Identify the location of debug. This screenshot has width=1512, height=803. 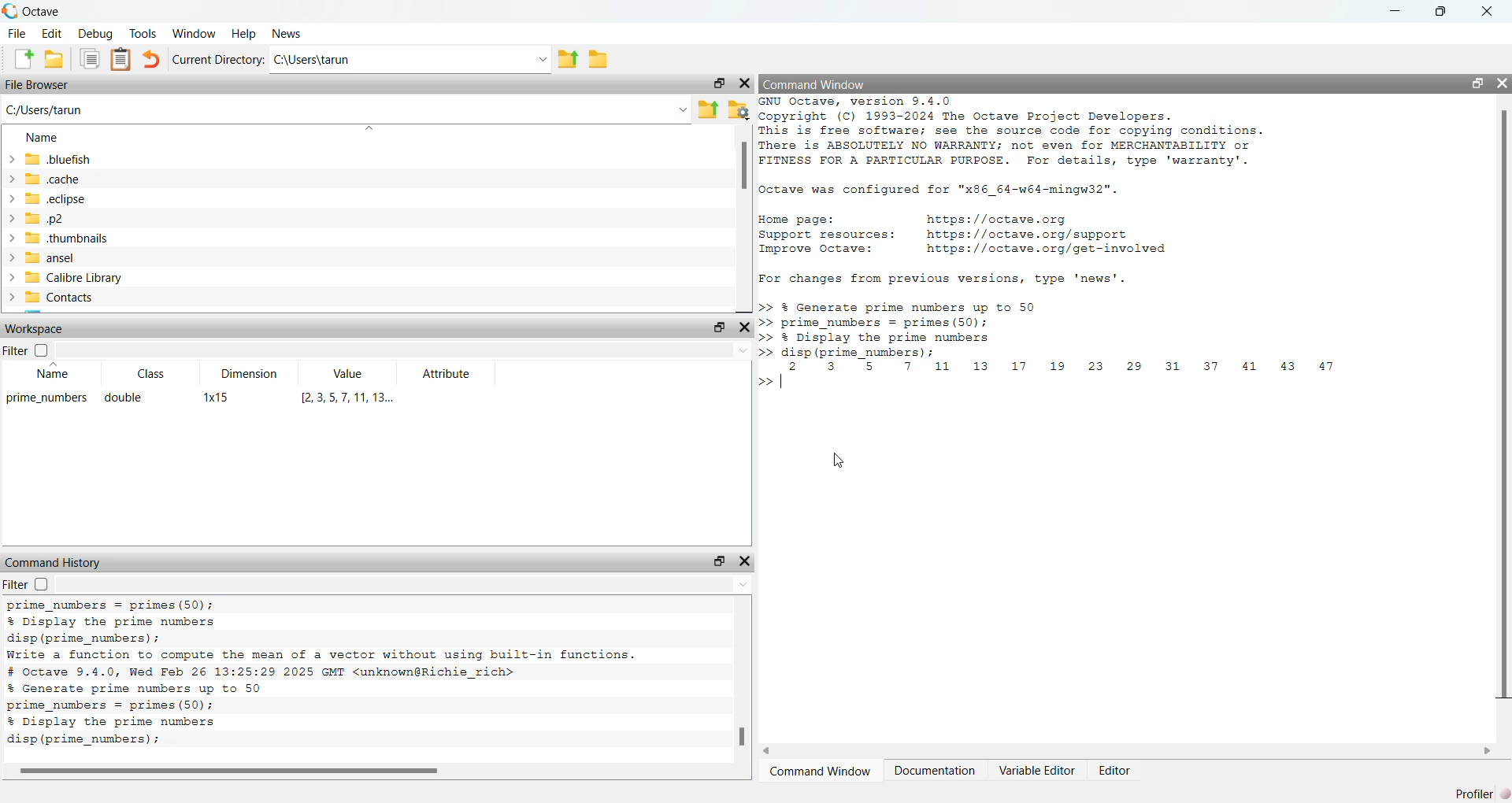
(97, 34).